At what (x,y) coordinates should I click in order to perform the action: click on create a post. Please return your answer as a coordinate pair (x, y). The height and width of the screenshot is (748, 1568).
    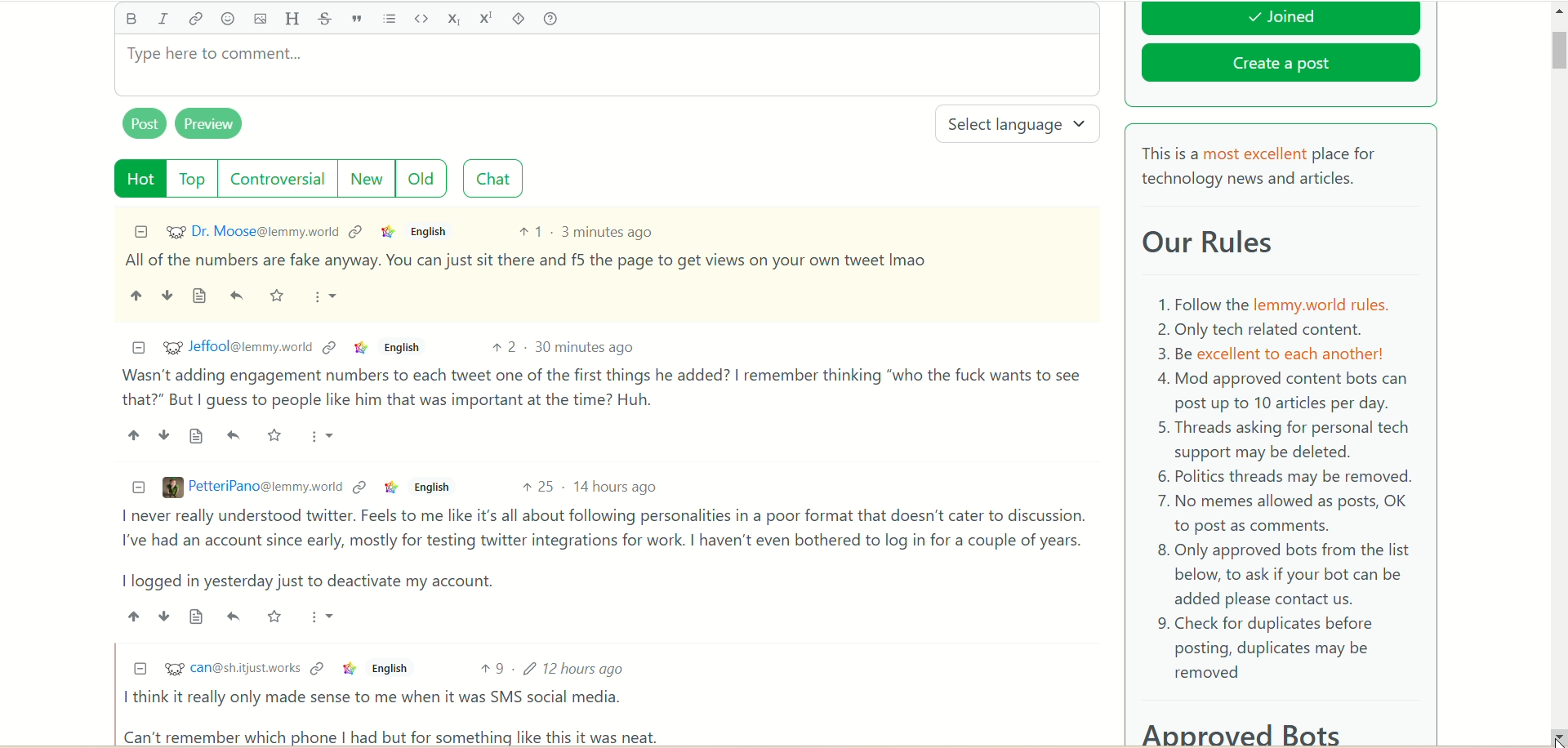
    Looking at the image, I should click on (1281, 66).